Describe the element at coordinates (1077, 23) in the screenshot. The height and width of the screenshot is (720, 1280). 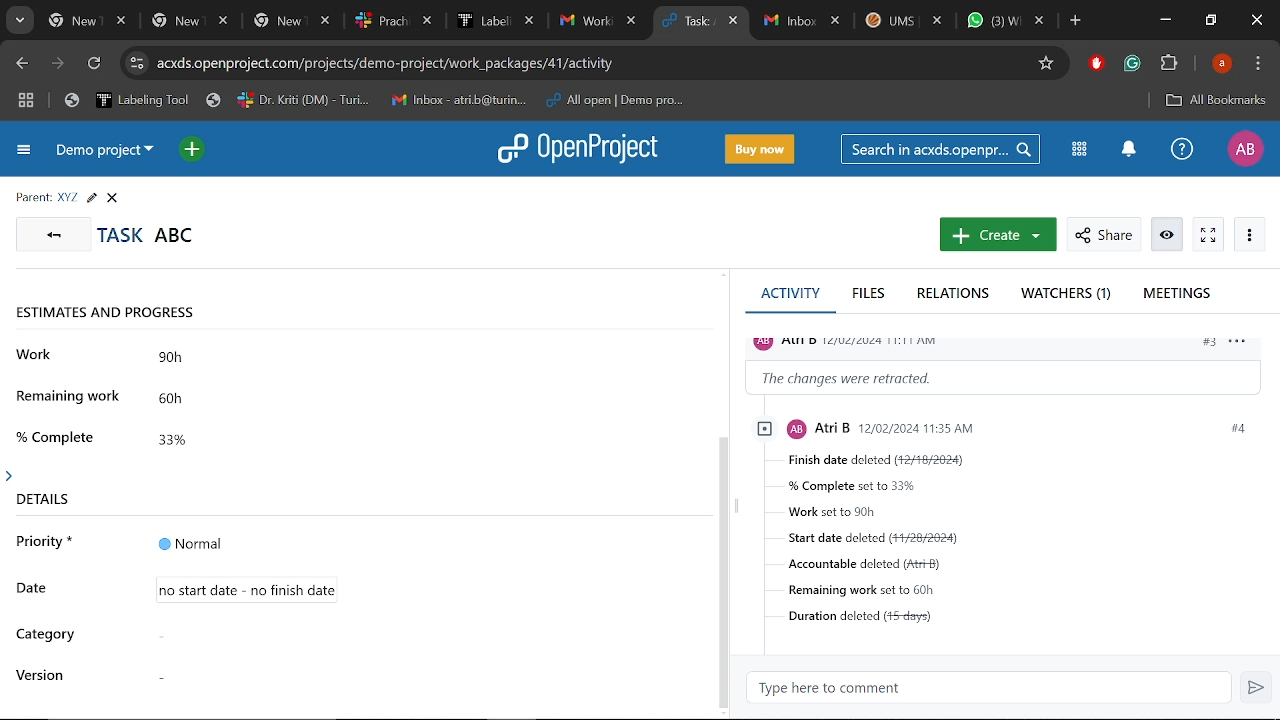
I see `Add new tab` at that location.